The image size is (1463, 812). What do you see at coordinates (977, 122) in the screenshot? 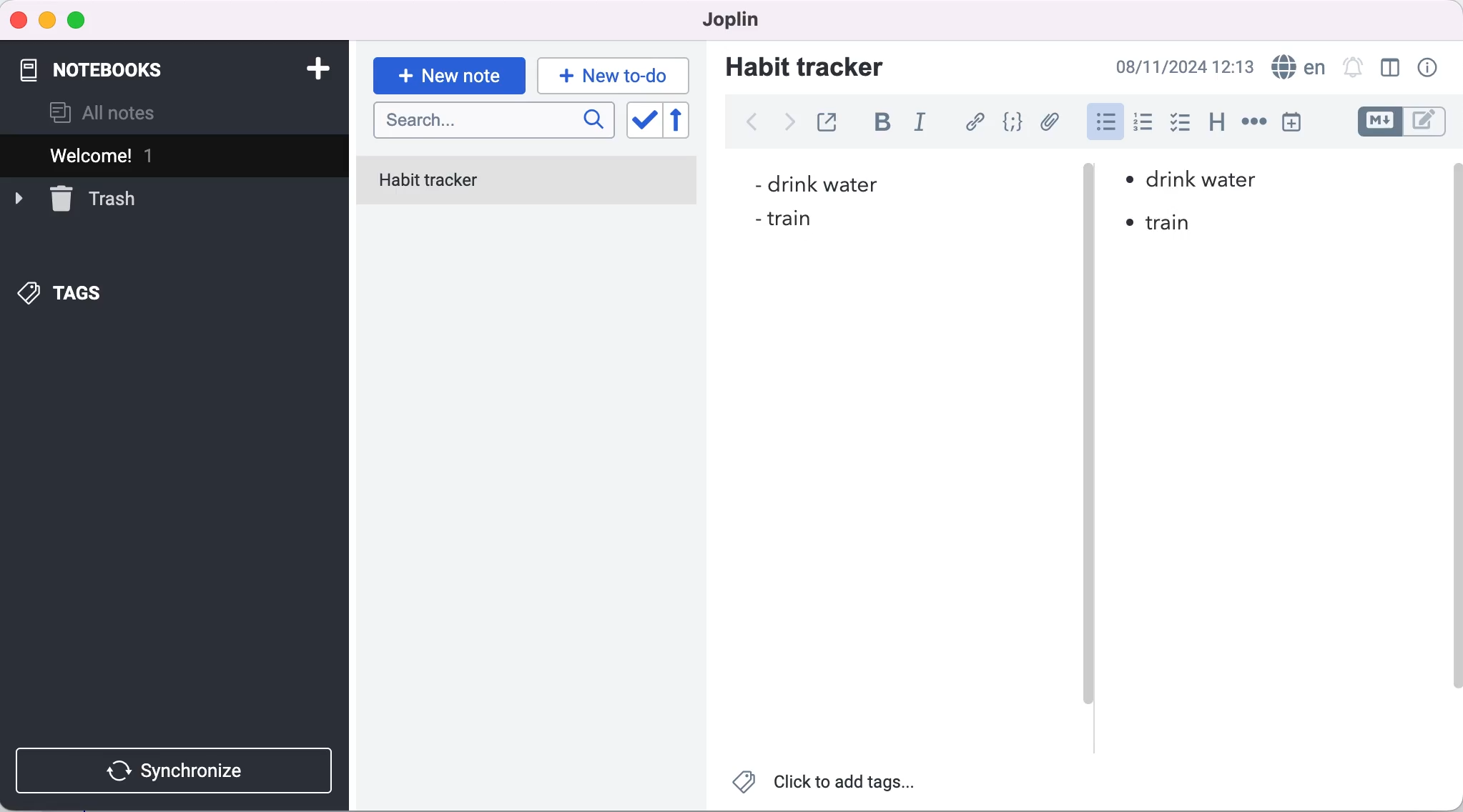
I see `hyperlink` at bounding box center [977, 122].